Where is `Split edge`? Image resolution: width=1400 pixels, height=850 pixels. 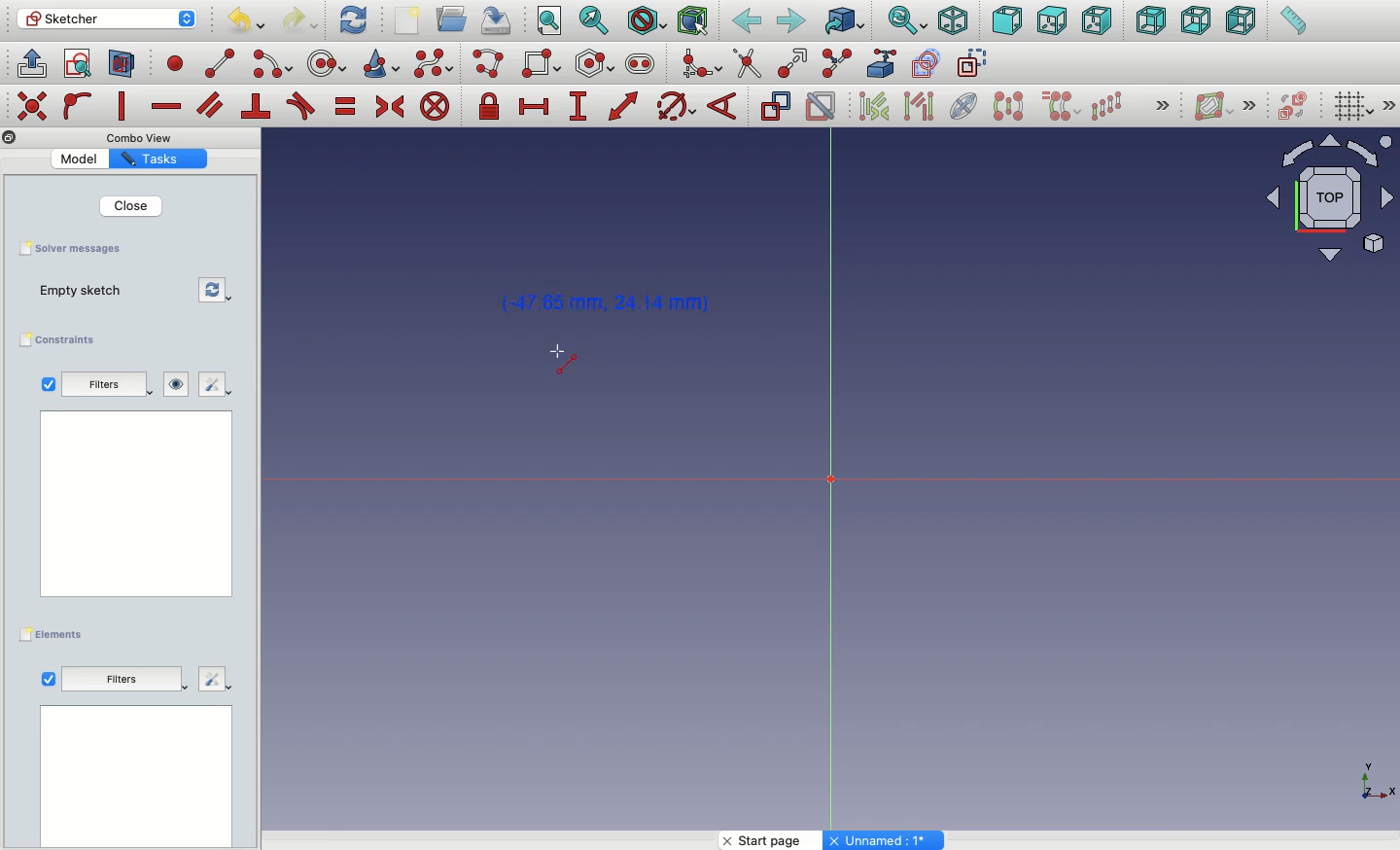 Split edge is located at coordinates (838, 62).